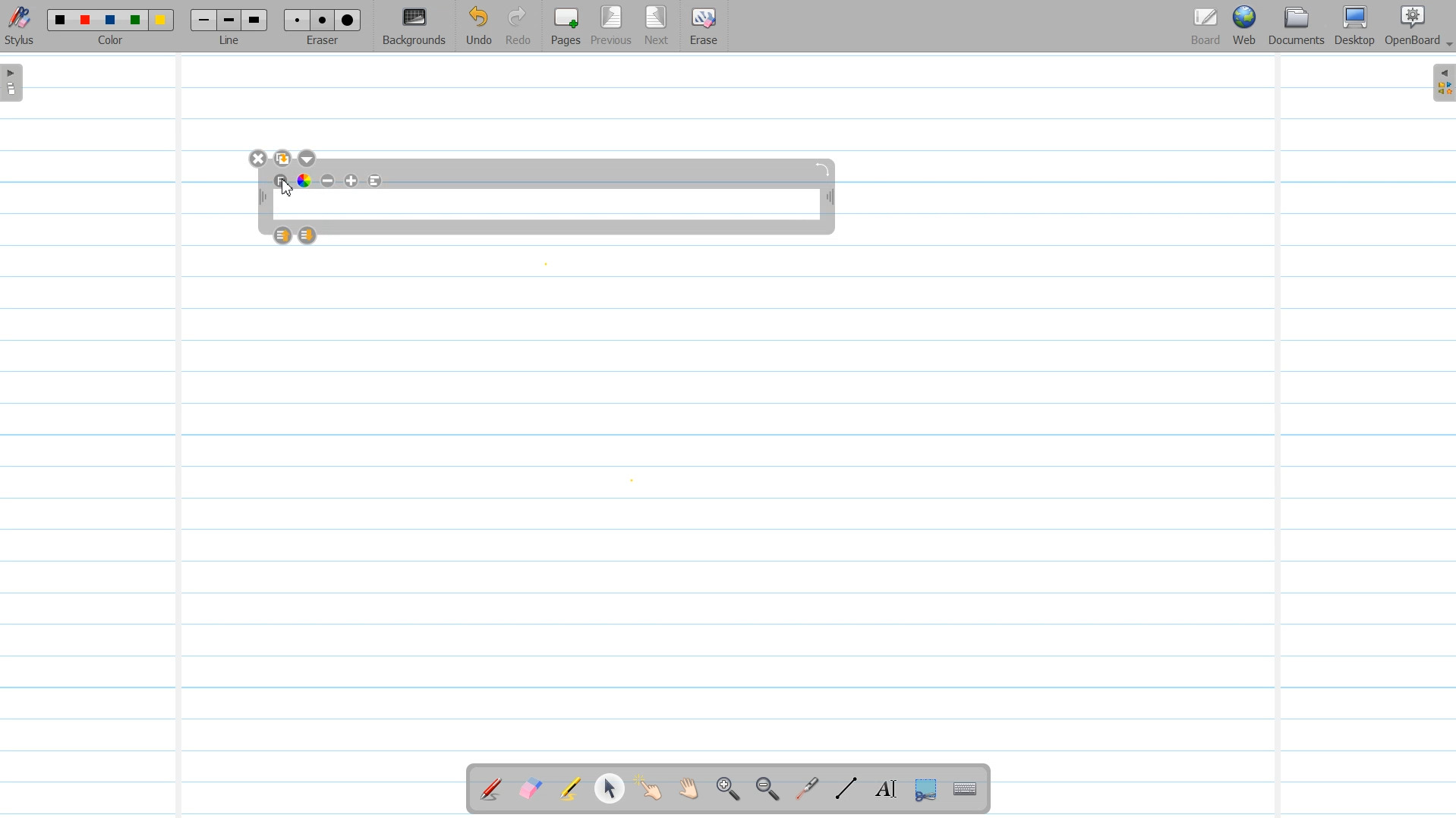  Describe the element at coordinates (261, 197) in the screenshot. I see `Adjust width of text tool ` at that location.